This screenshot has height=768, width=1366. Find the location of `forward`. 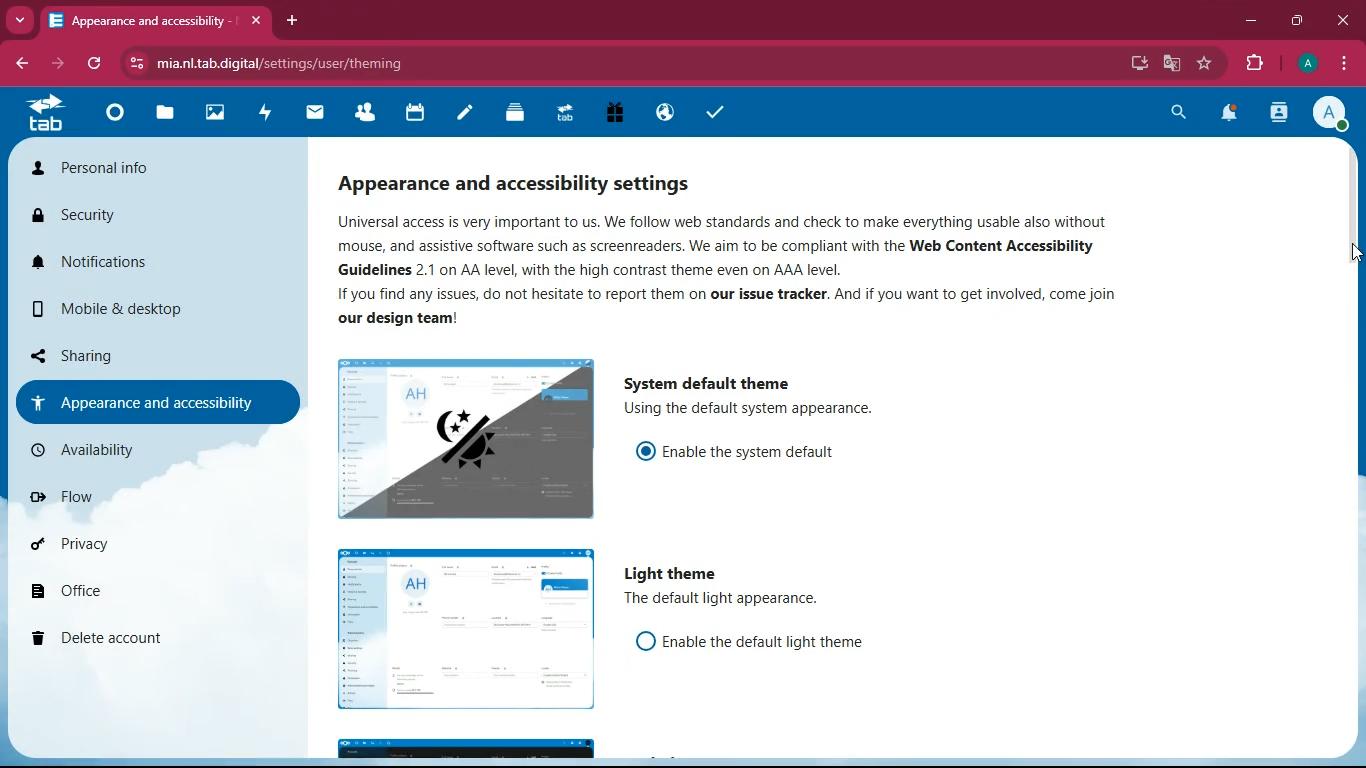

forward is located at coordinates (54, 65).